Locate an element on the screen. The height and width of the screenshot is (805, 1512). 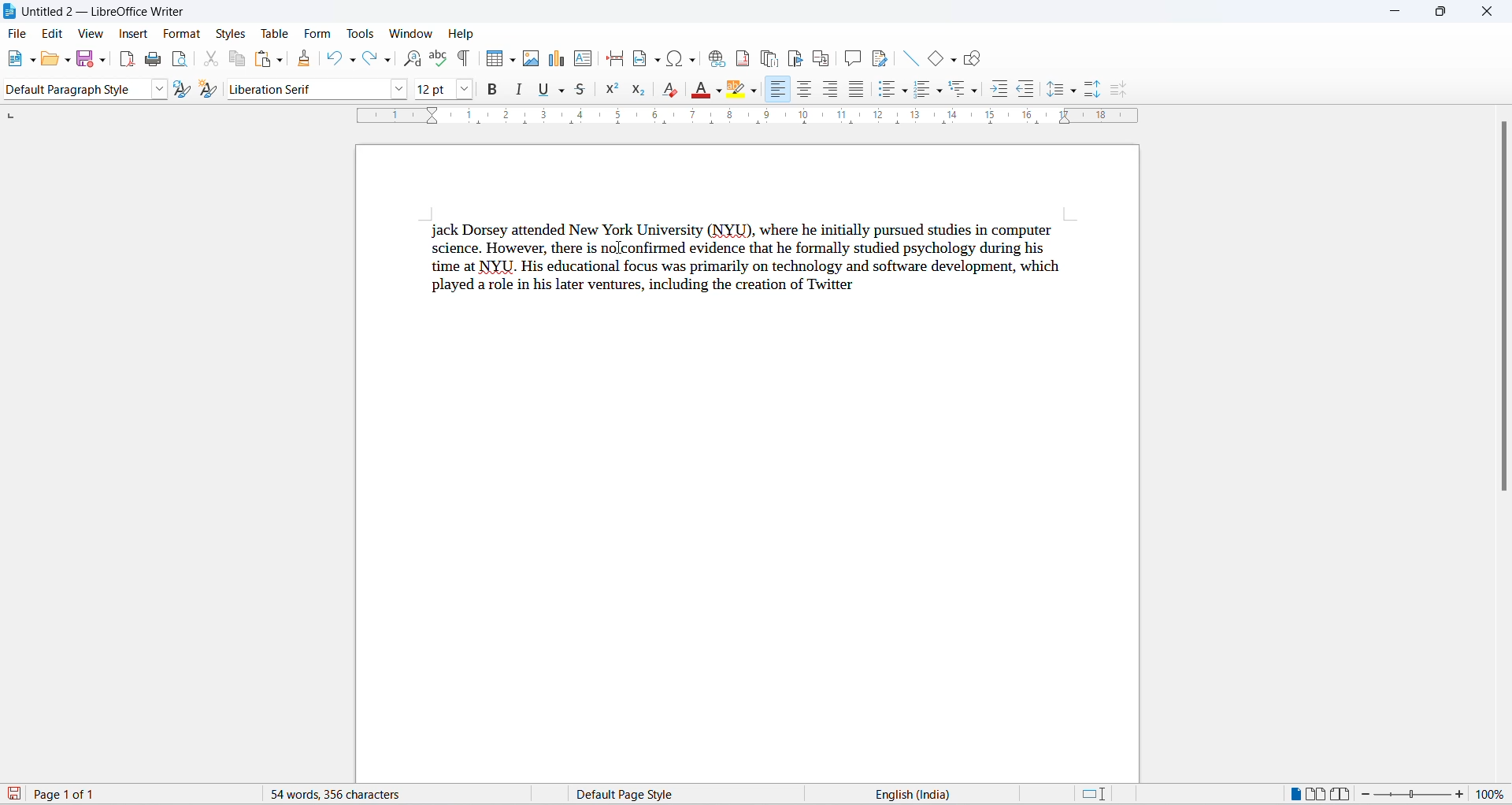
toggle unordered list options is located at coordinates (906, 93).